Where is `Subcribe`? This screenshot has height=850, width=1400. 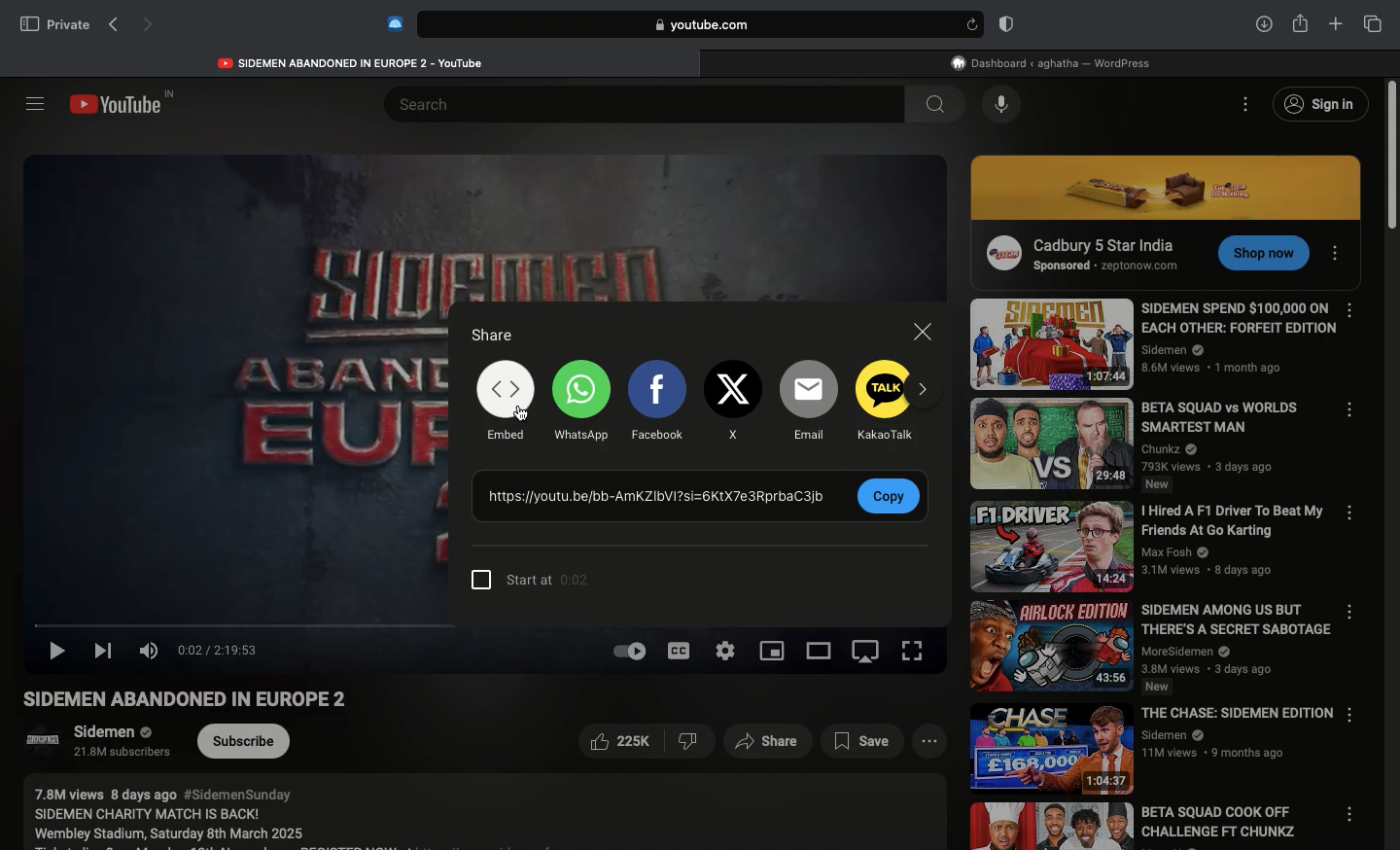 Subcribe is located at coordinates (246, 741).